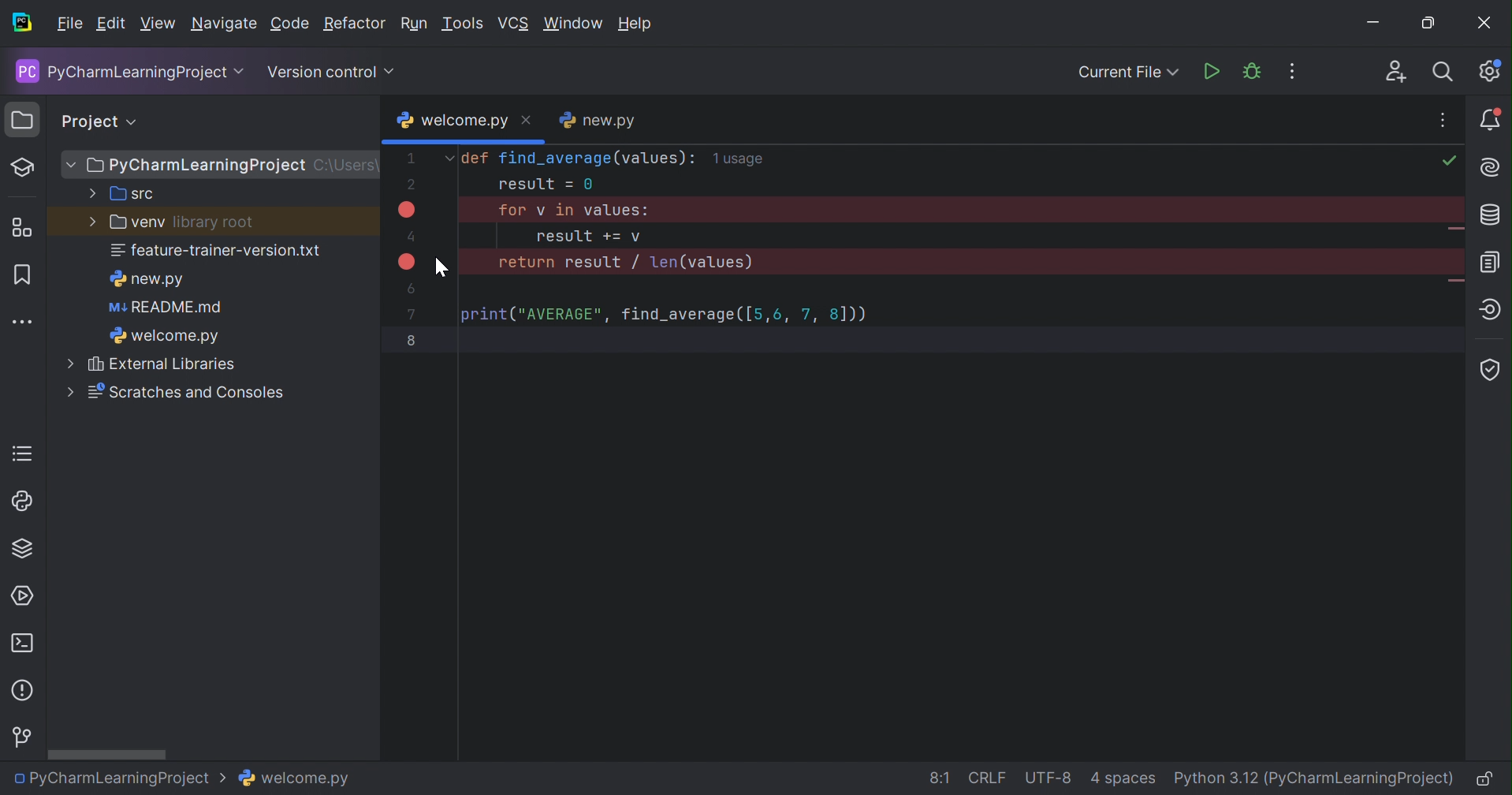 This screenshot has height=795, width=1512. What do you see at coordinates (224, 24) in the screenshot?
I see `Navigate` at bounding box center [224, 24].